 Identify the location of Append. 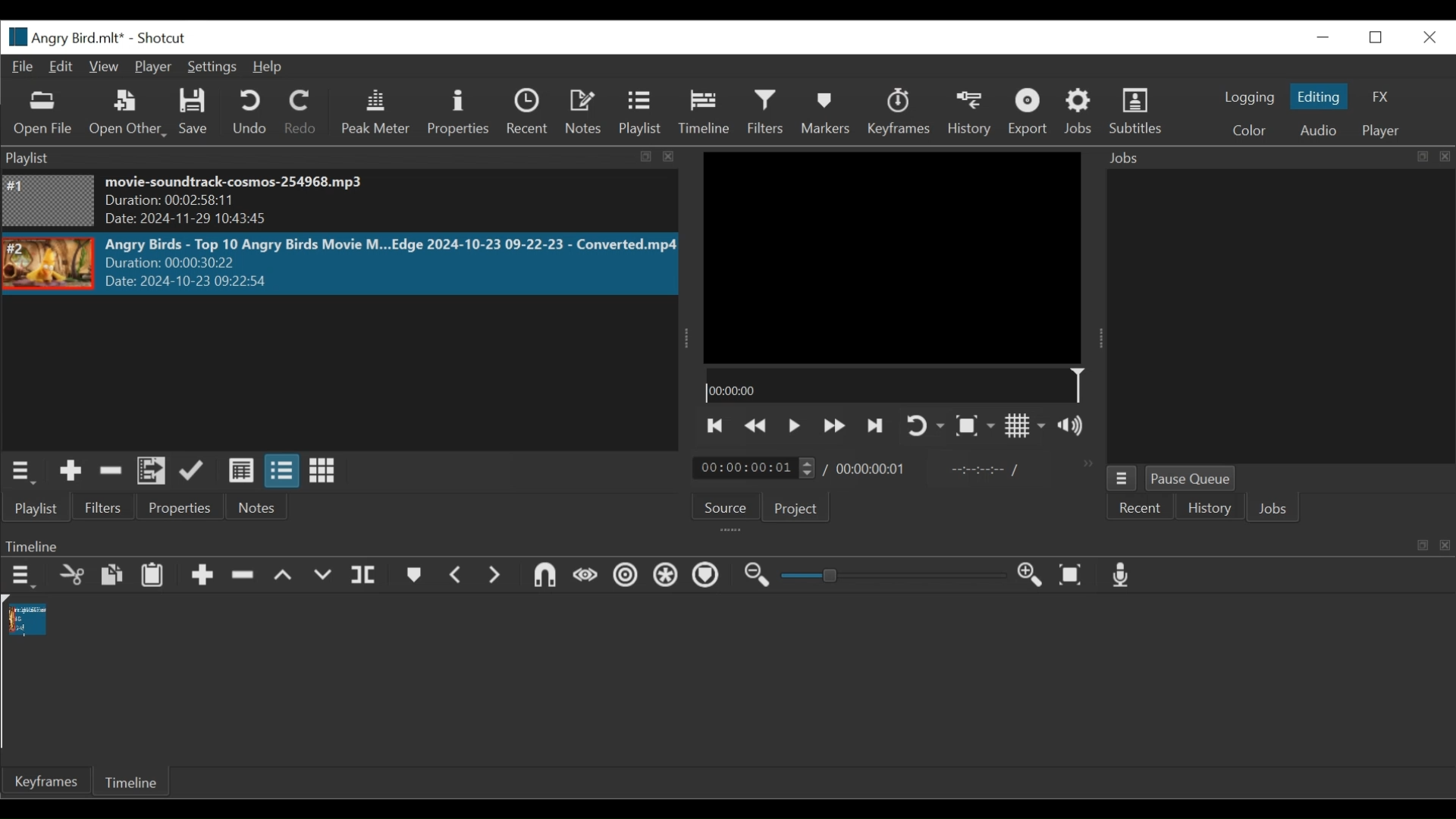
(201, 576).